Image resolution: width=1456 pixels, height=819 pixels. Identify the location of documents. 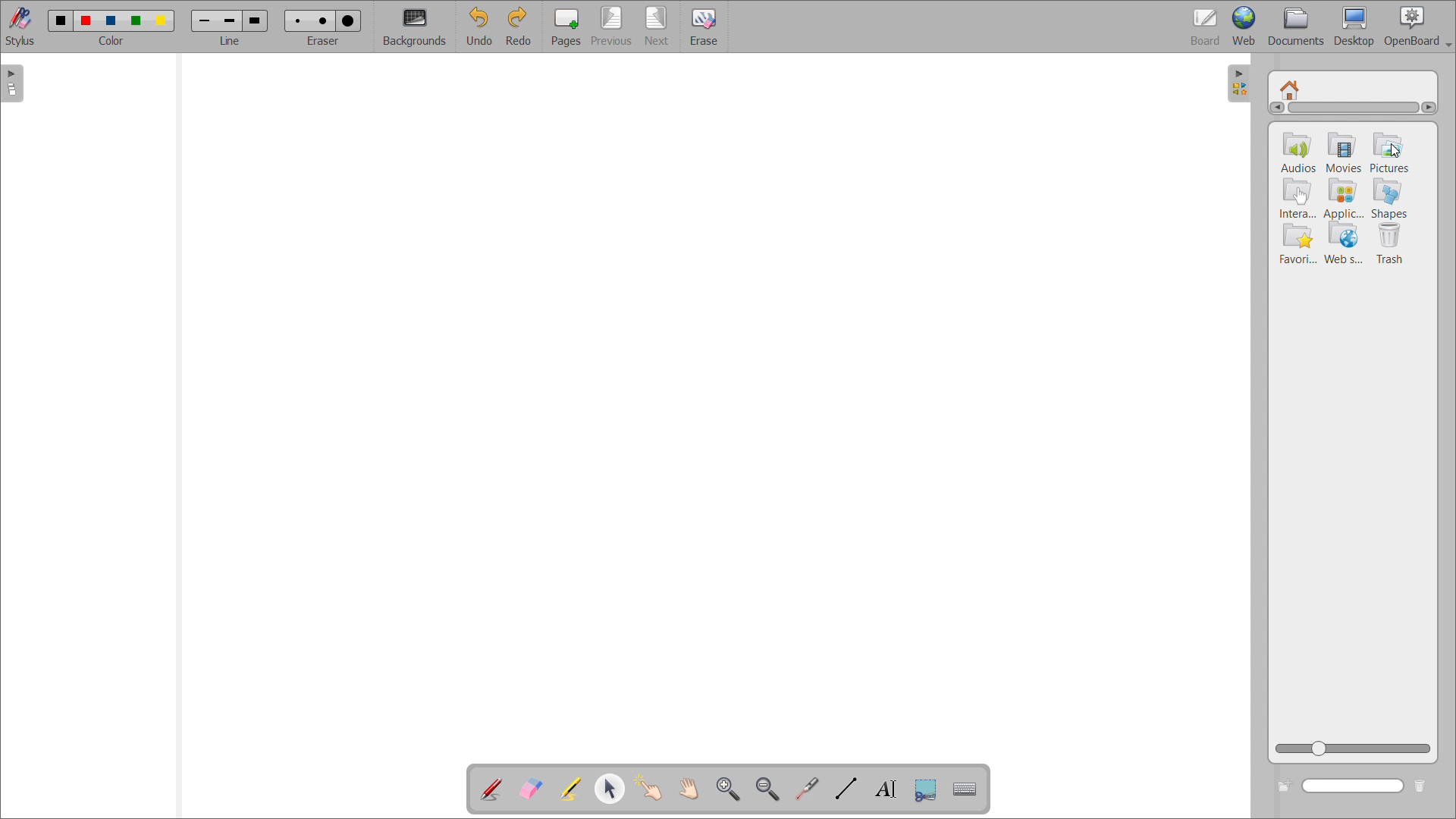
(1296, 27).